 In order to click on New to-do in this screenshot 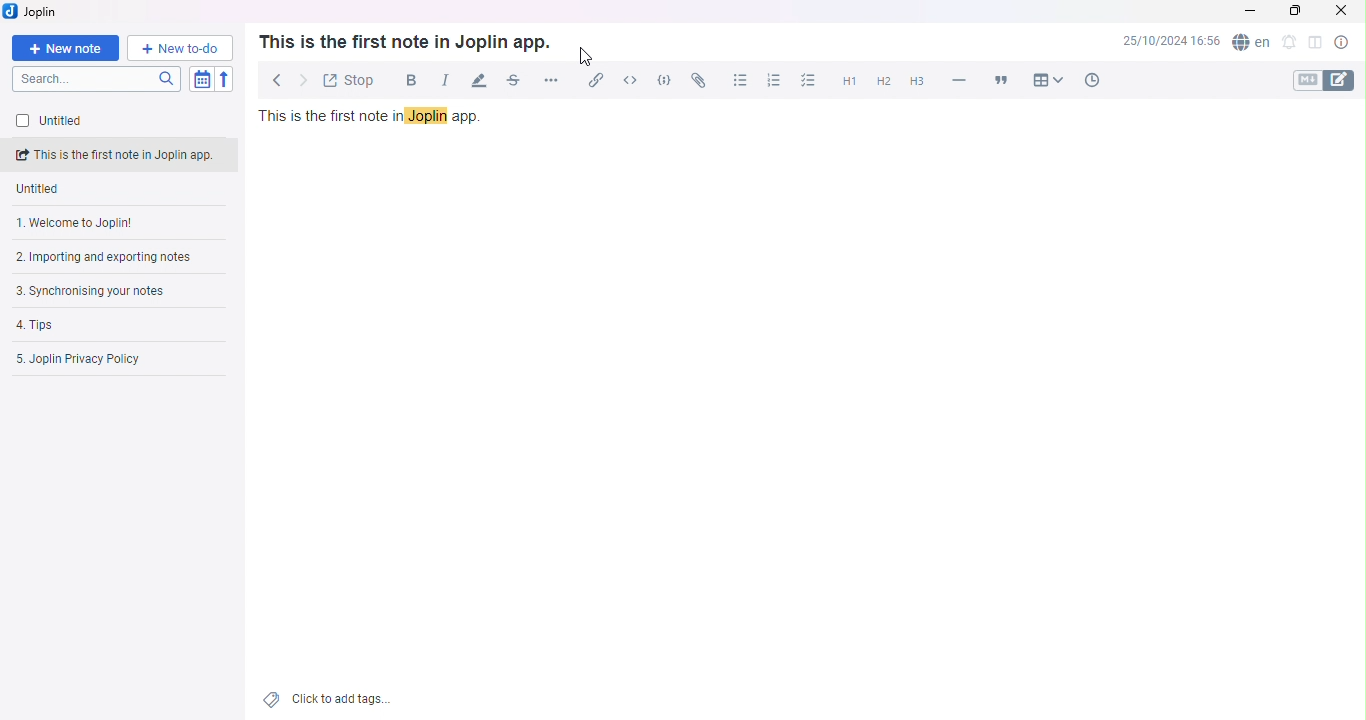, I will do `click(178, 48)`.